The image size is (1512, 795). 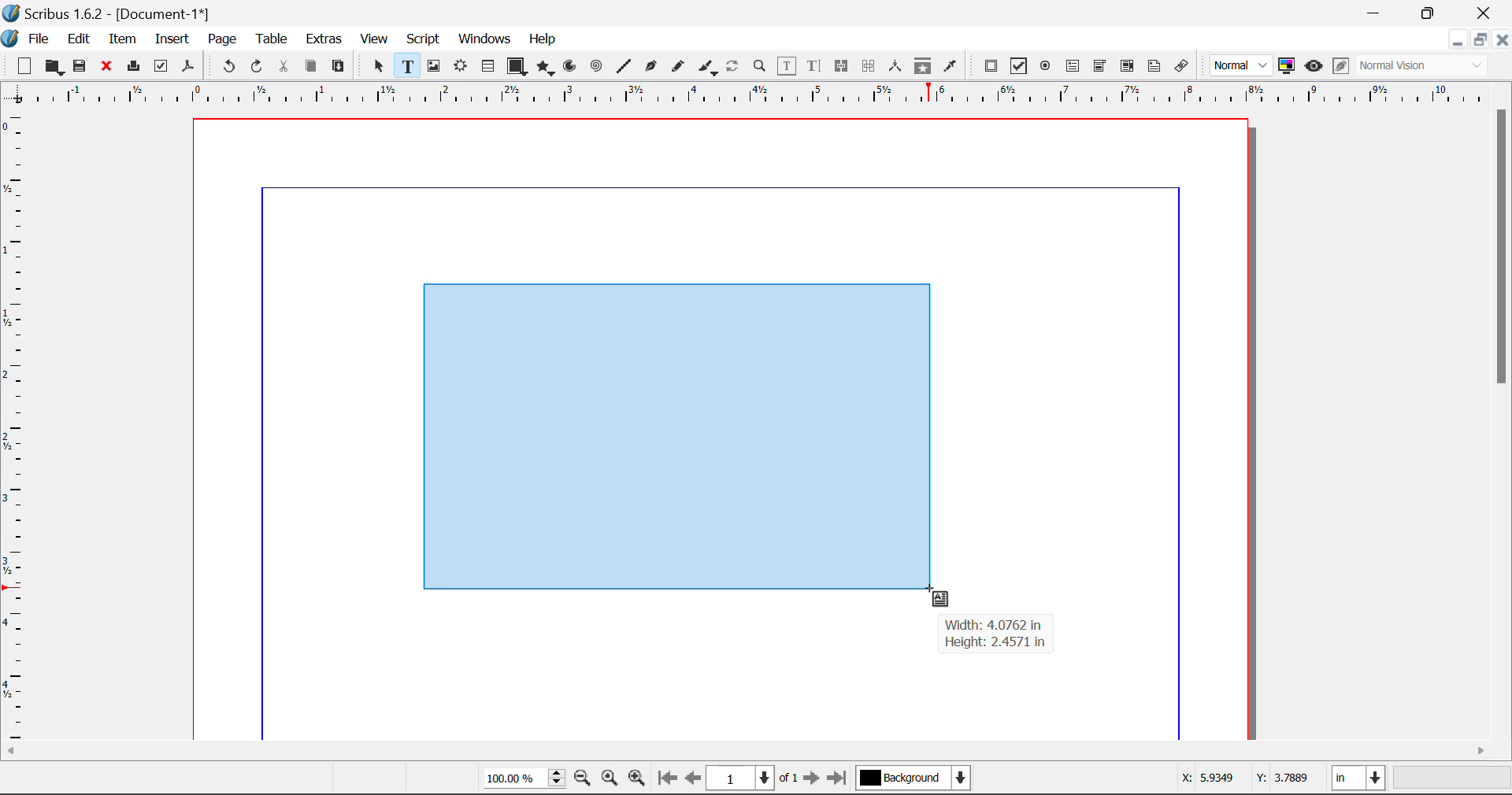 What do you see at coordinates (1154, 66) in the screenshot?
I see `Text Annotation` at bounding box center [1154, 66].